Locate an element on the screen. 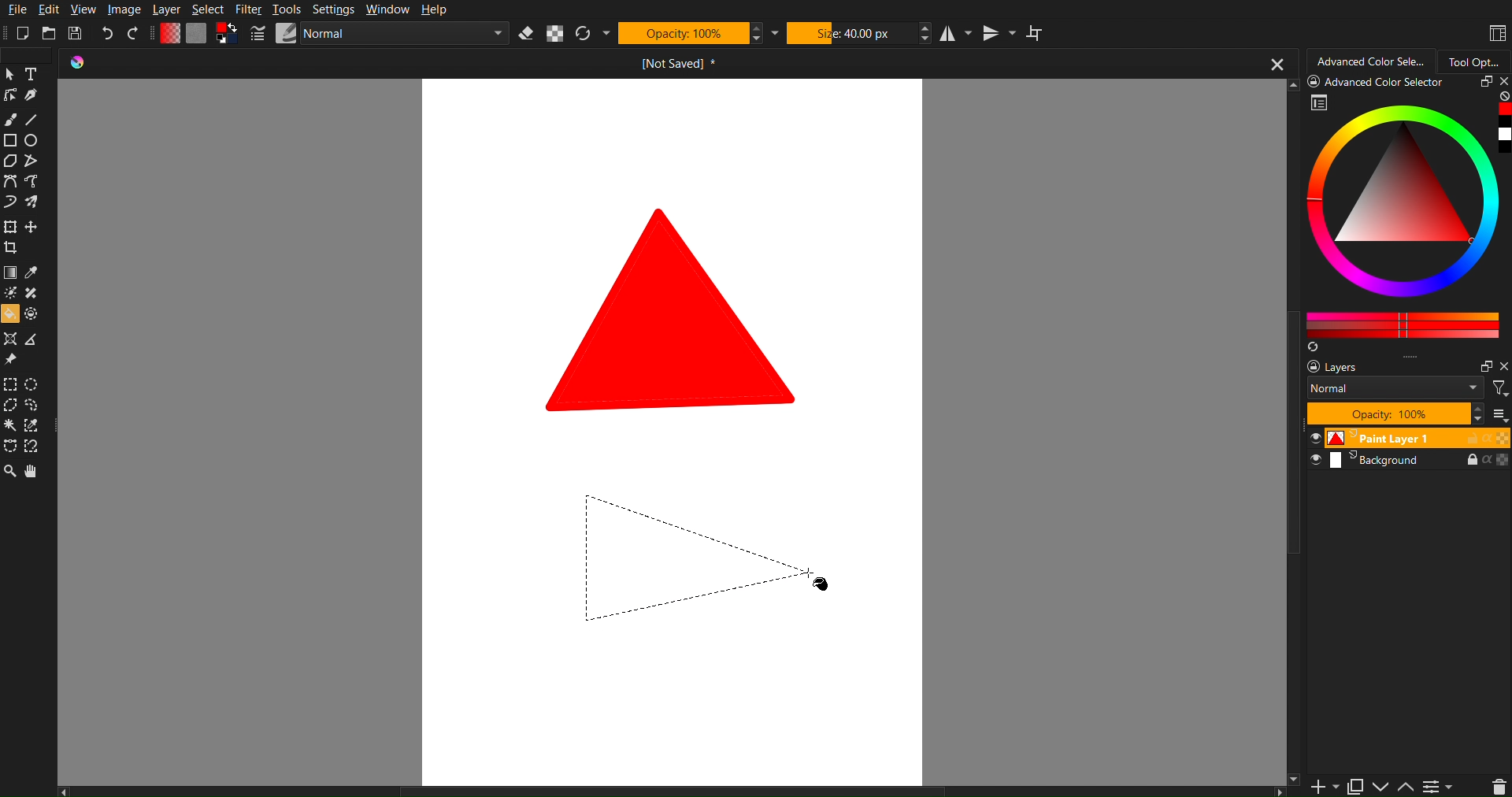  Line Structure is located at coordinates (710, 554).